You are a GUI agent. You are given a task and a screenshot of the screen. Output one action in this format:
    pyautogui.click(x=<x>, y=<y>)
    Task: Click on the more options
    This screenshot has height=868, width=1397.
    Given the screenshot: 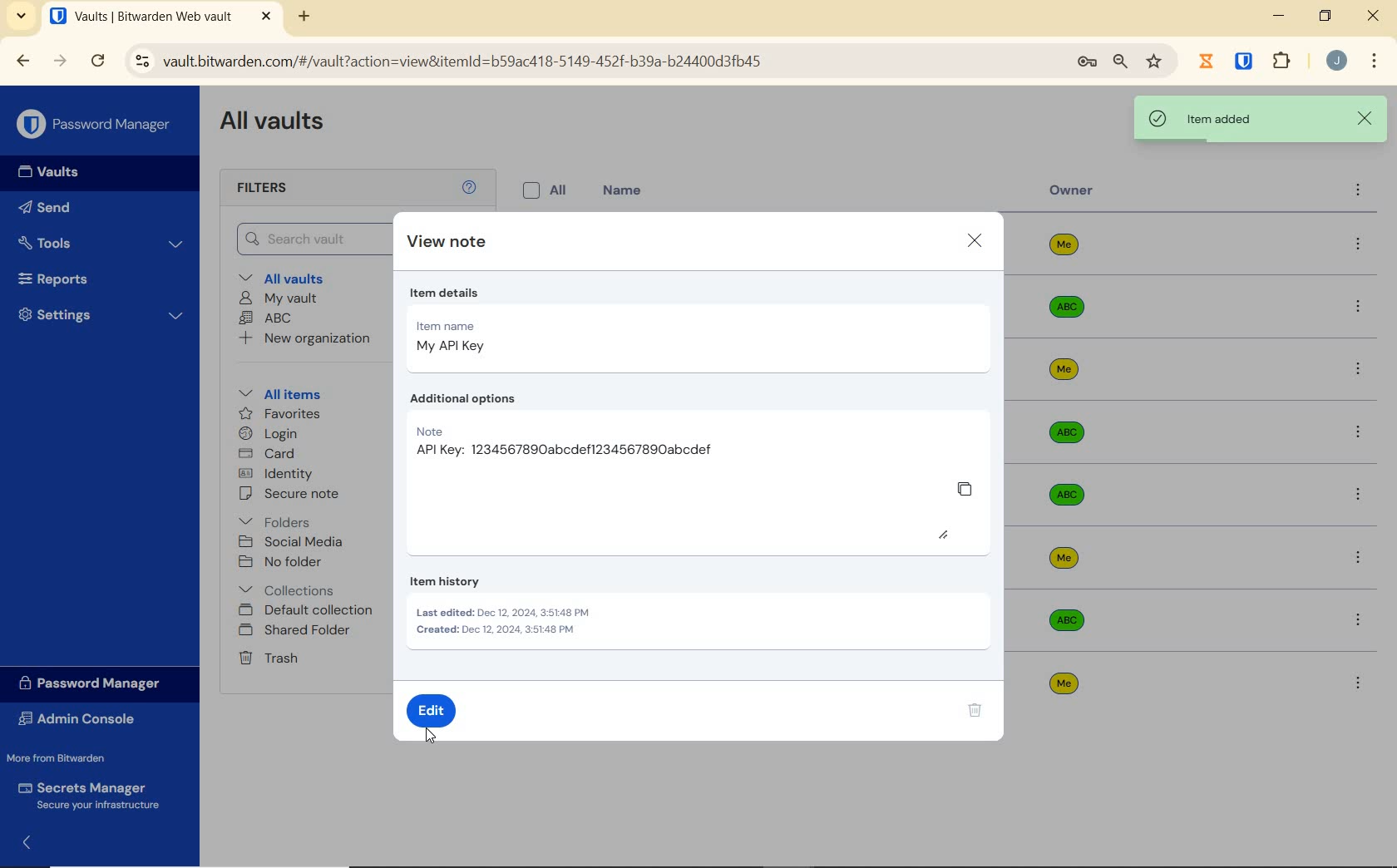 What is the action you would take?
    pyautogui.click(x=1359, y=245)
    